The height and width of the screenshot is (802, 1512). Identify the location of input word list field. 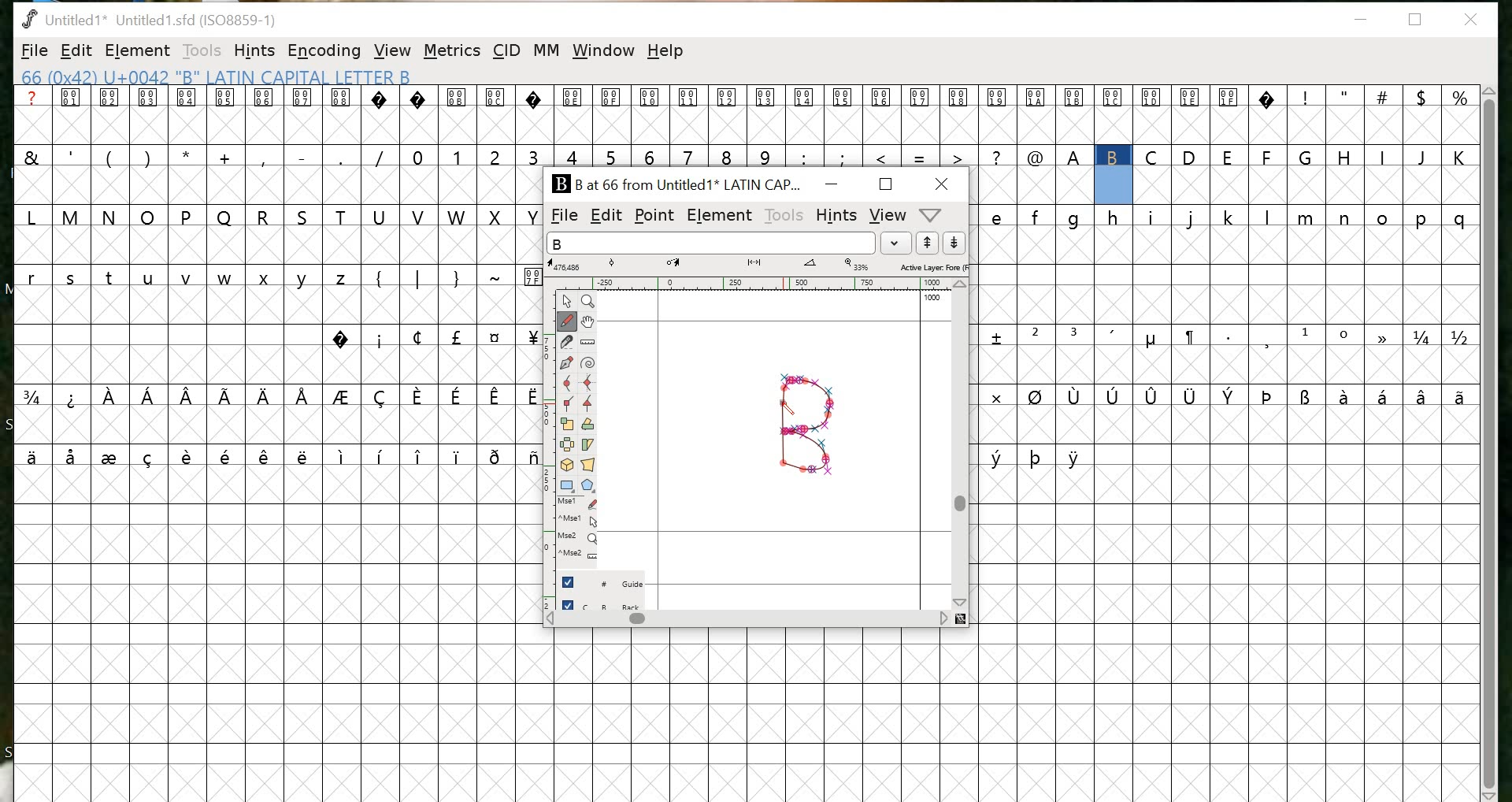
(710, 243).